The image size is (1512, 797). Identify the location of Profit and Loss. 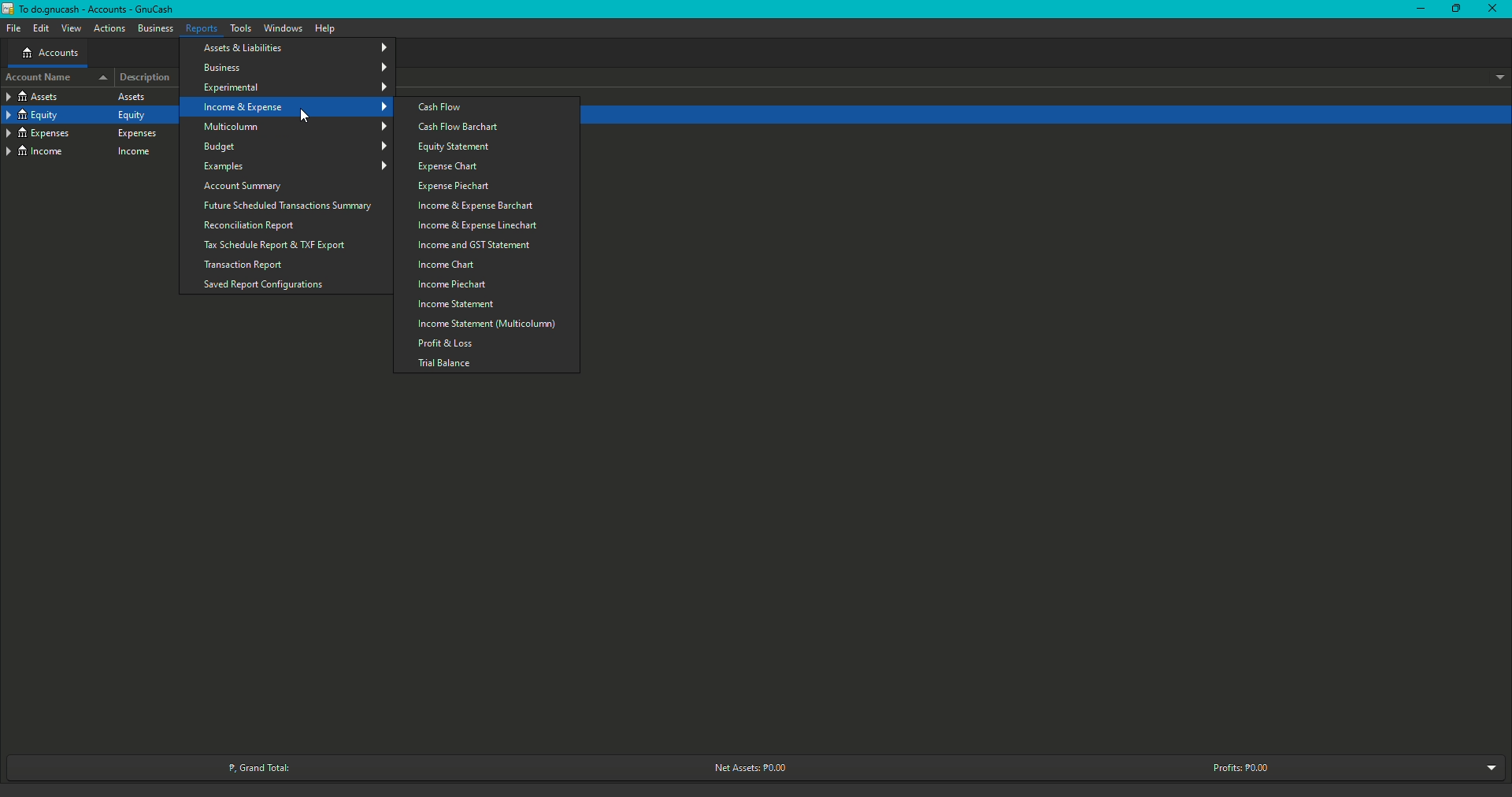
(447, 343).